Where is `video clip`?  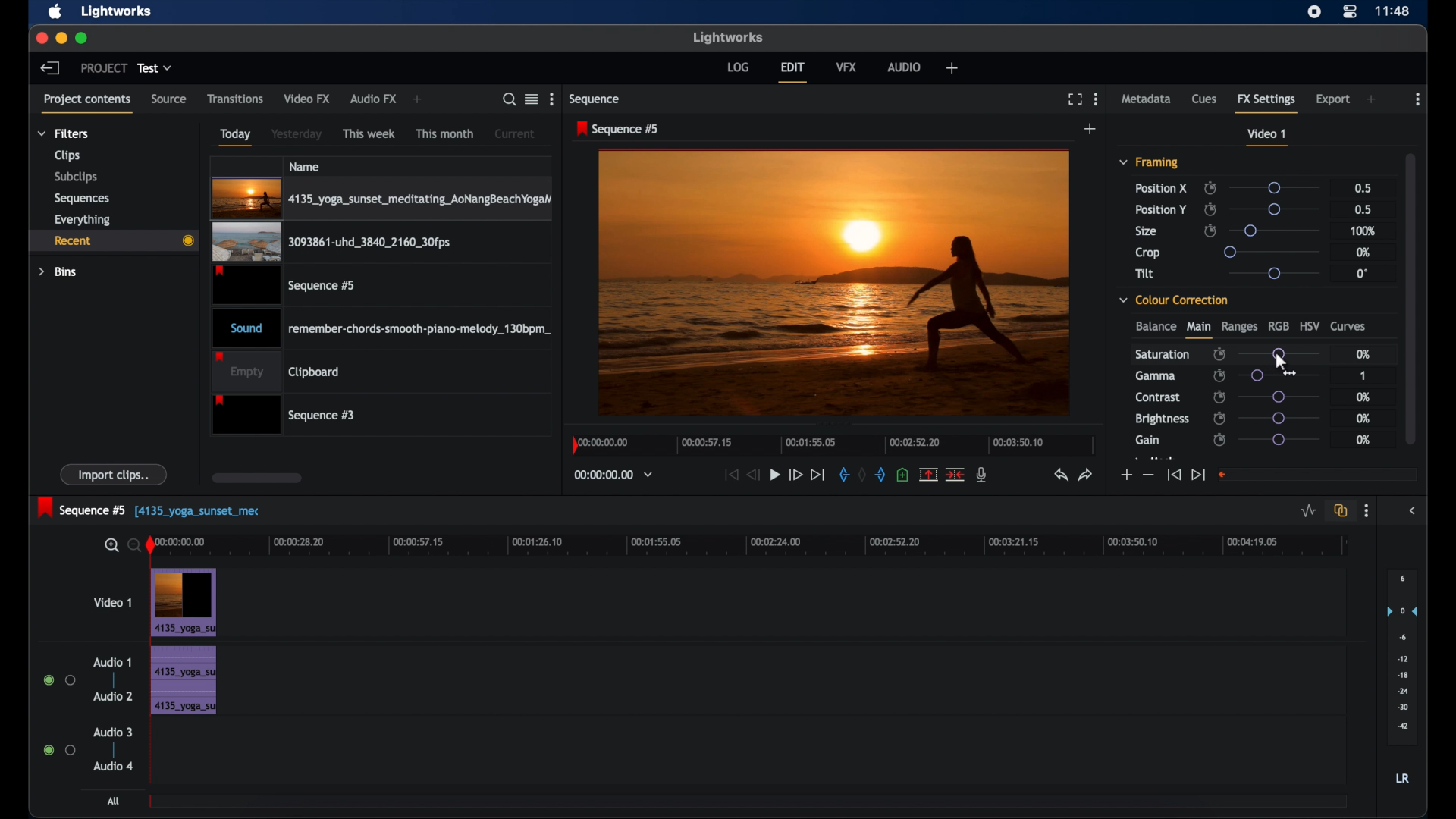 video clip is located at coordinates (286, 285).